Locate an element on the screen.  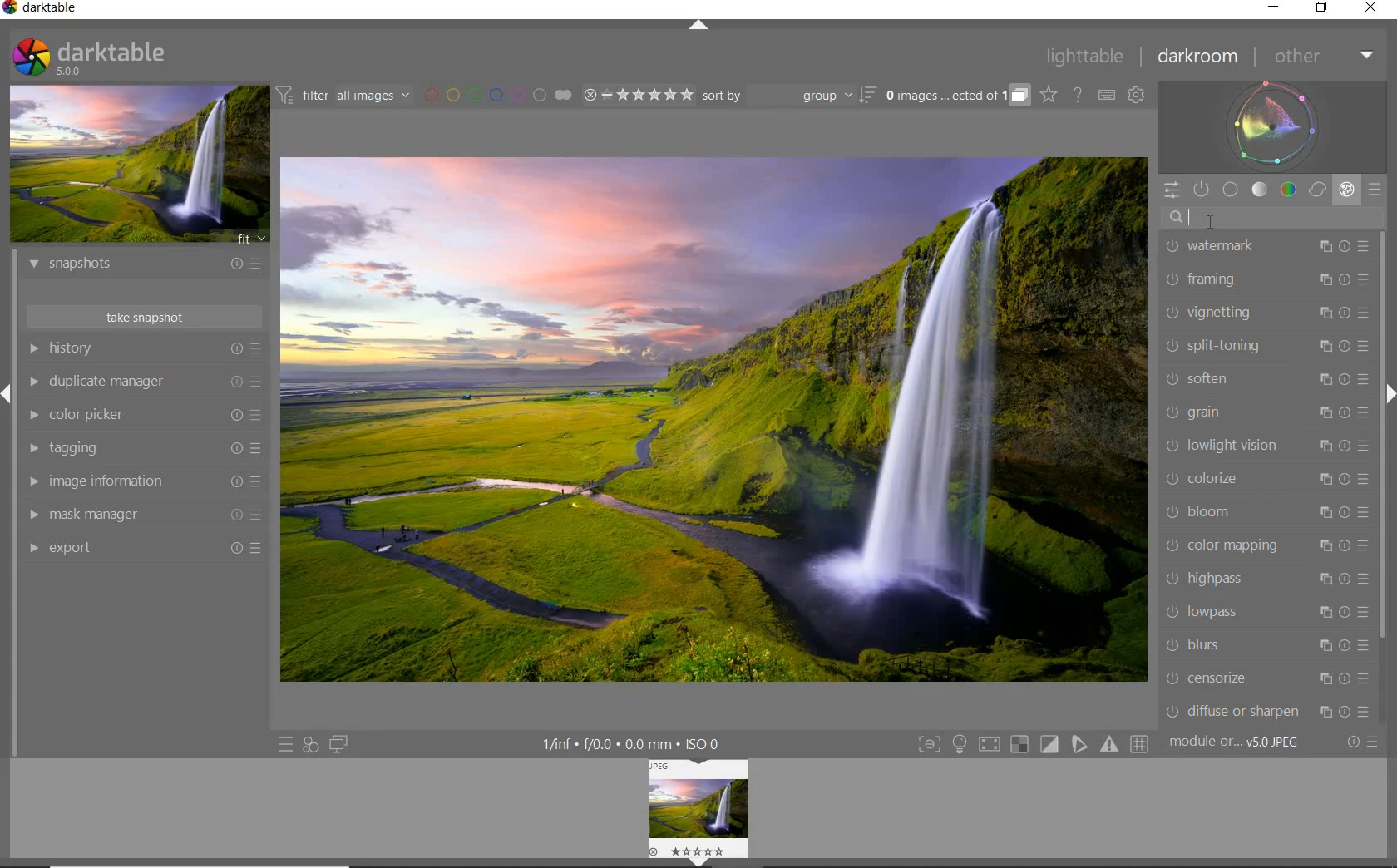
watermark is located at coordinates (1266, 248).